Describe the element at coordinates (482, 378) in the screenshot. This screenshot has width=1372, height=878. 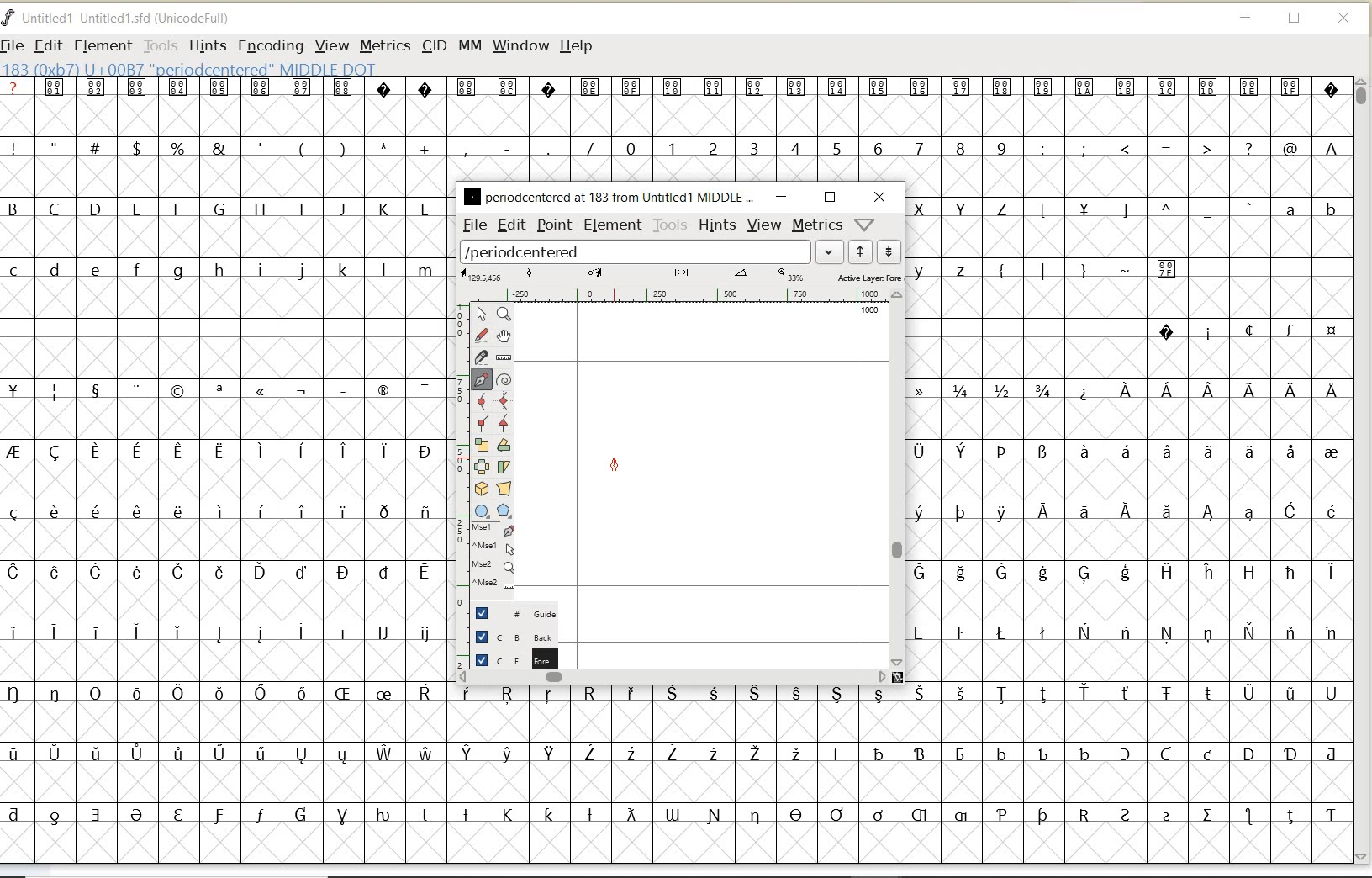
I see `add a point, then drag out its control points` at that location.